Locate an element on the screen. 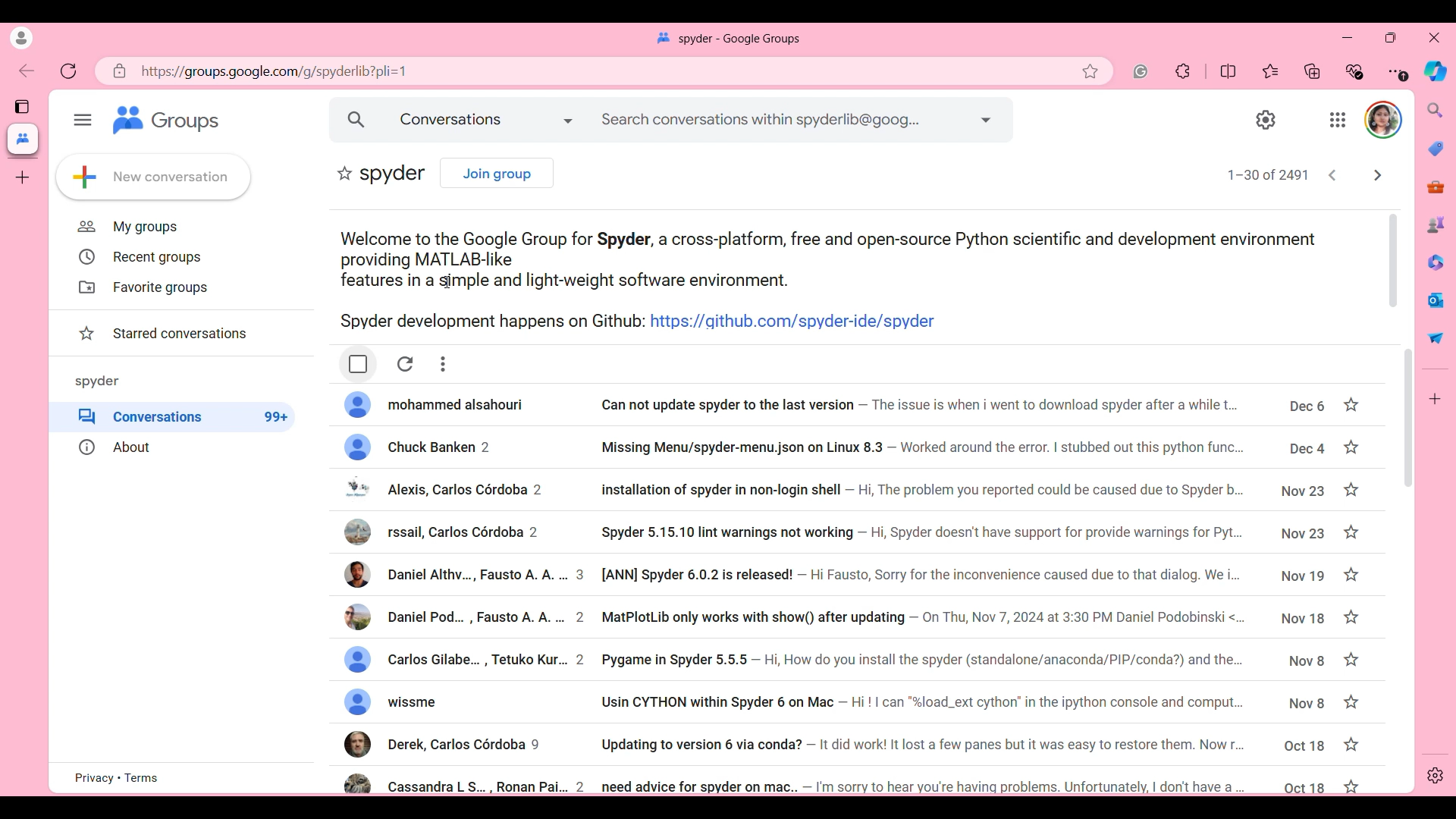 This screenshot has height=819, width=1456. Games is located at coordinates (1436, 224).